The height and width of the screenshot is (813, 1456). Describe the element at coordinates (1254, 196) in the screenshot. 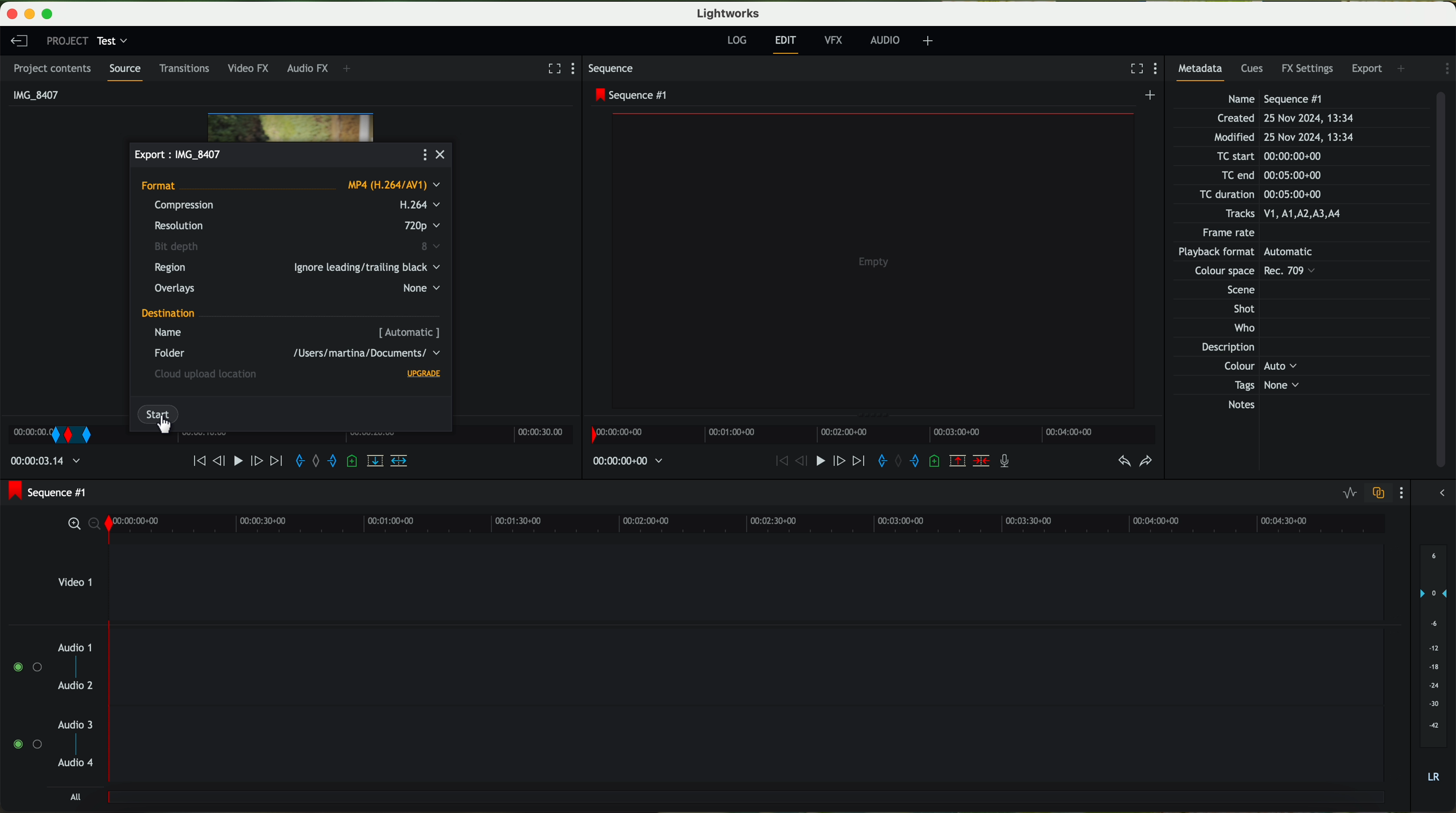

I see `TC duration` at that location.